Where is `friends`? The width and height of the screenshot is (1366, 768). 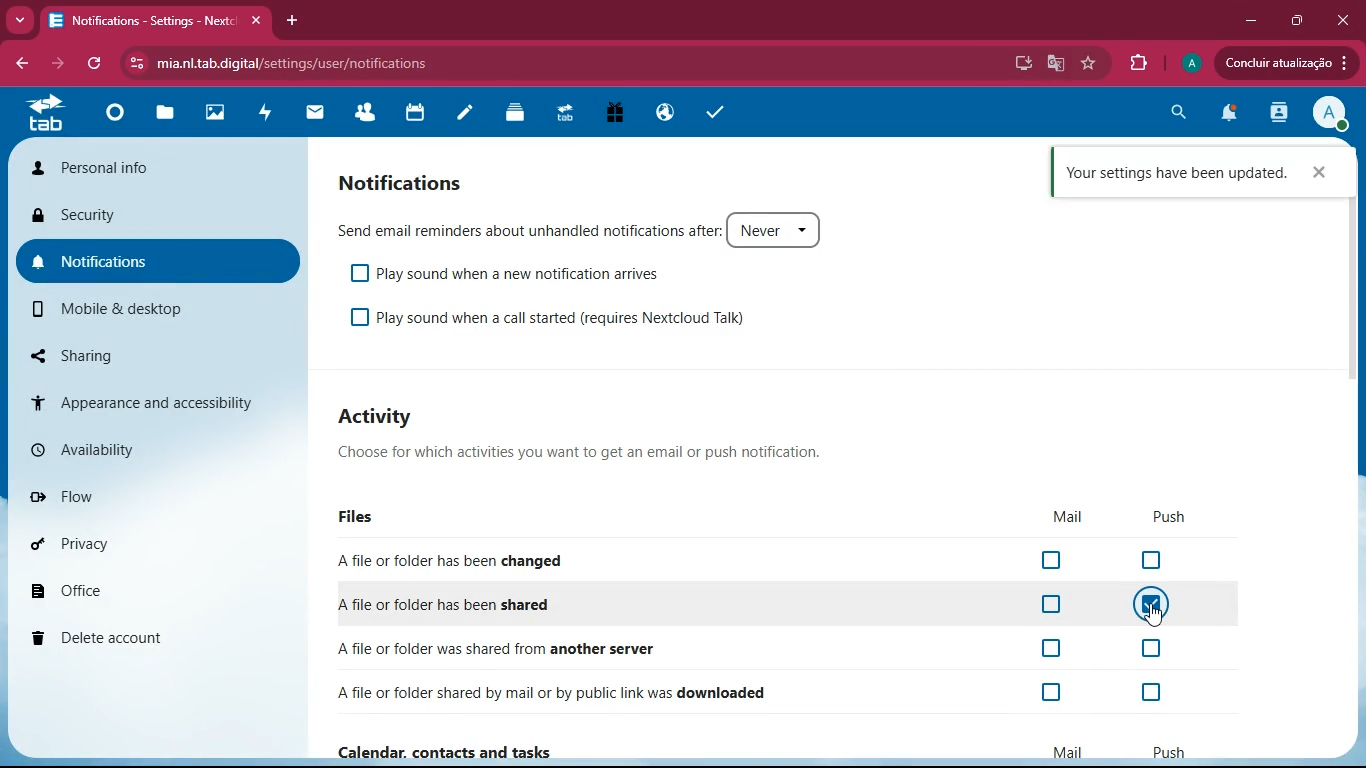
friends is located at coordinates (363, 115).